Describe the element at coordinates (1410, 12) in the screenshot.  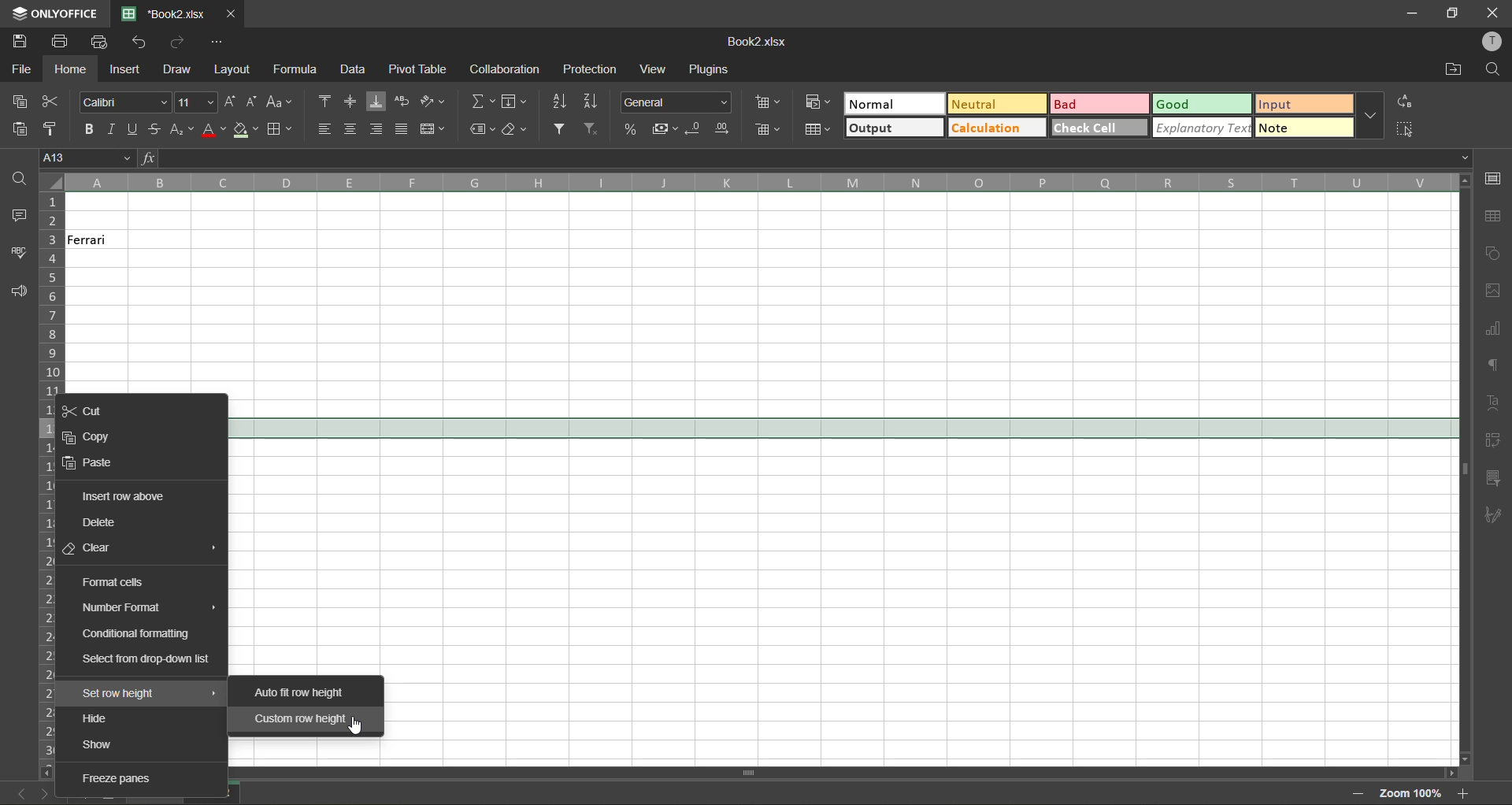
I see `minimize` at that location.